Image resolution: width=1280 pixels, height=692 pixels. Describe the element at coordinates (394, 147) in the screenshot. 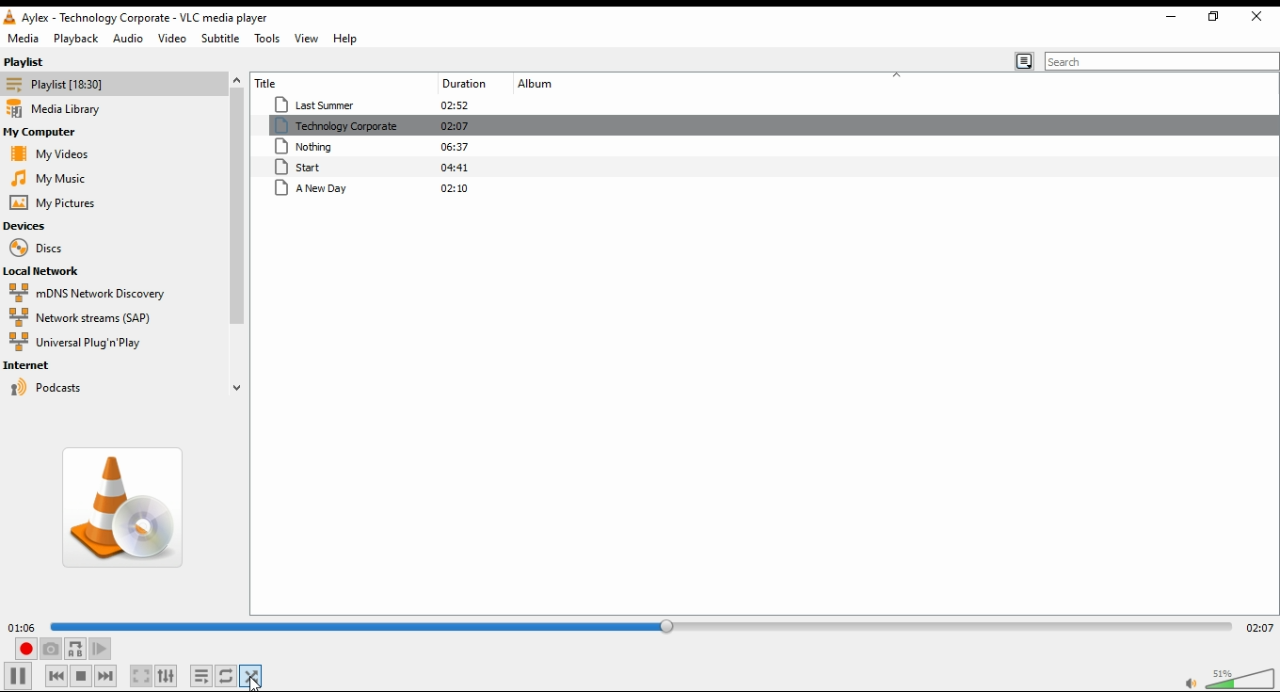

I see `nothing` at that location.